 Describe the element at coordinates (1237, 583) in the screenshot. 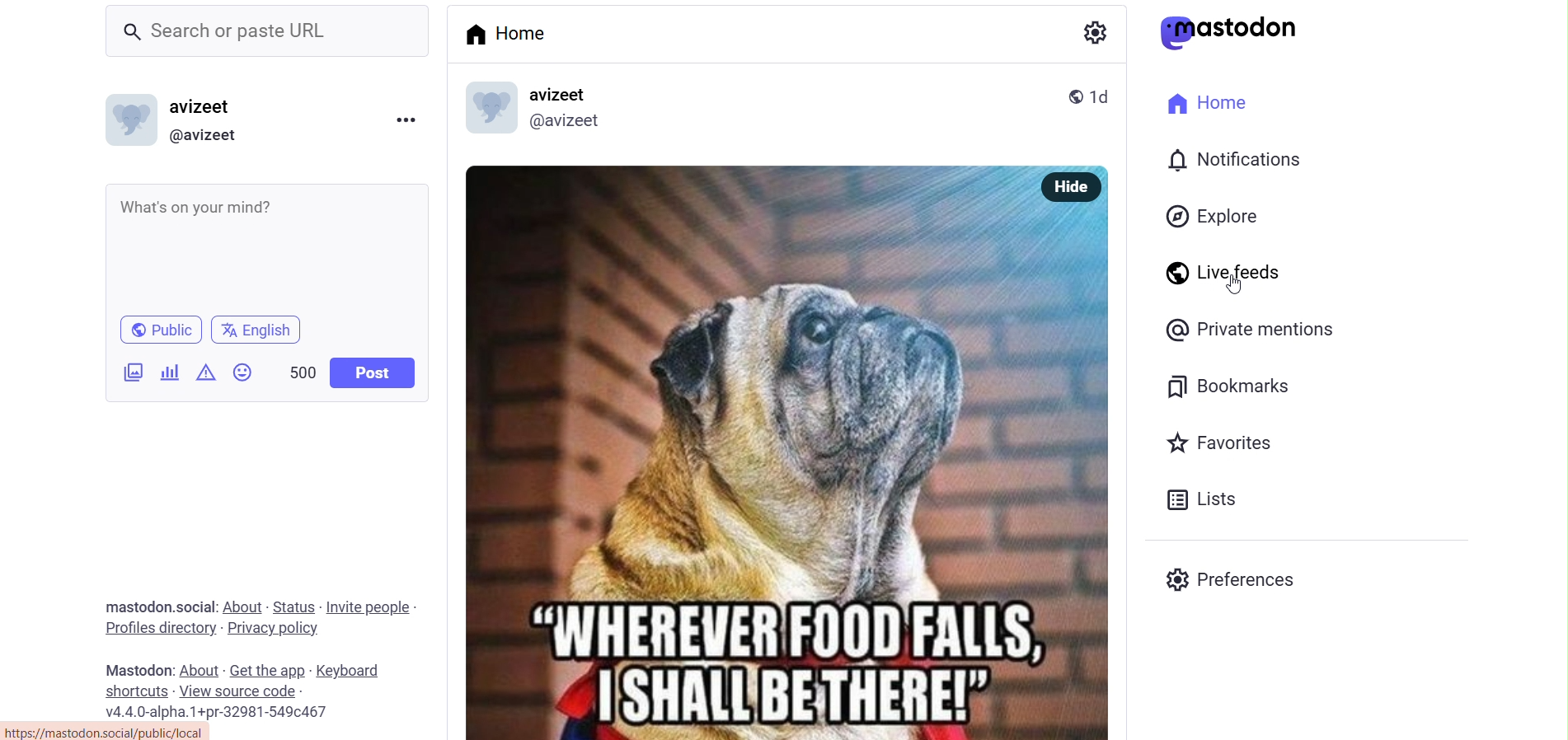

I see `preferences` at that location.